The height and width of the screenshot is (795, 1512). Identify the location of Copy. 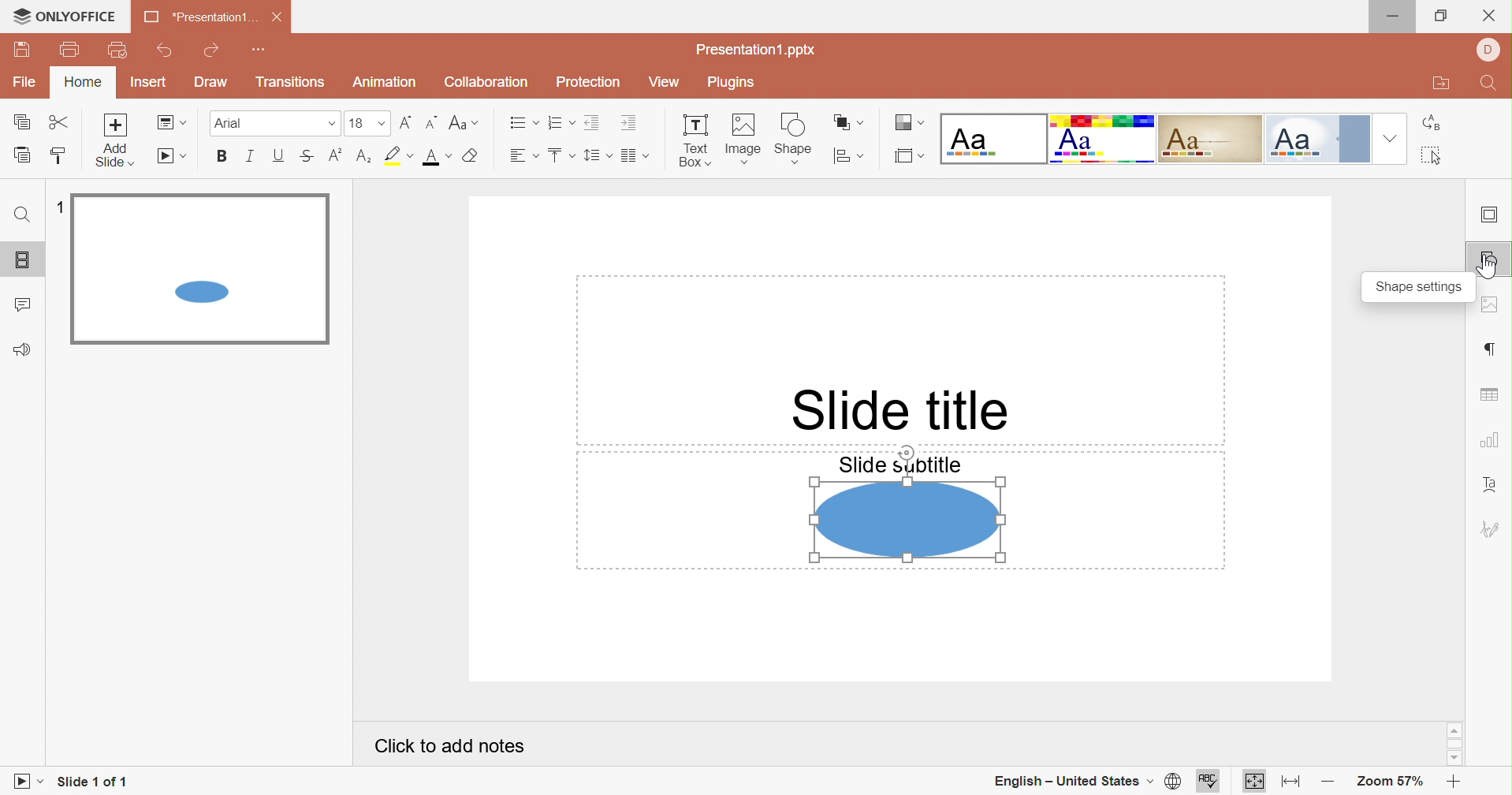
(23, 123).